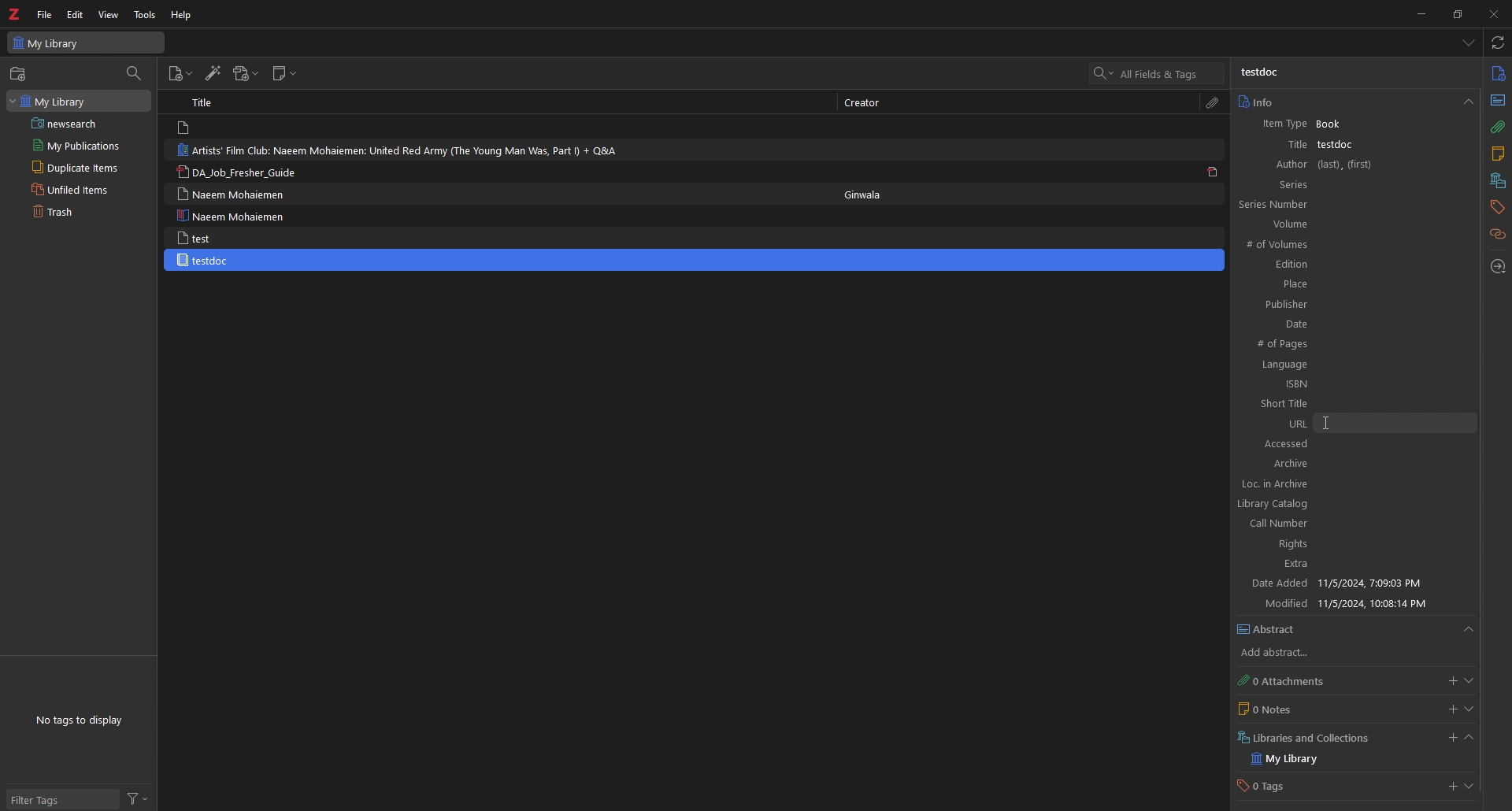 Image resolution: width=1512 pixels, height=811 pixels. I want to click on cursor, so click(1327, 424).